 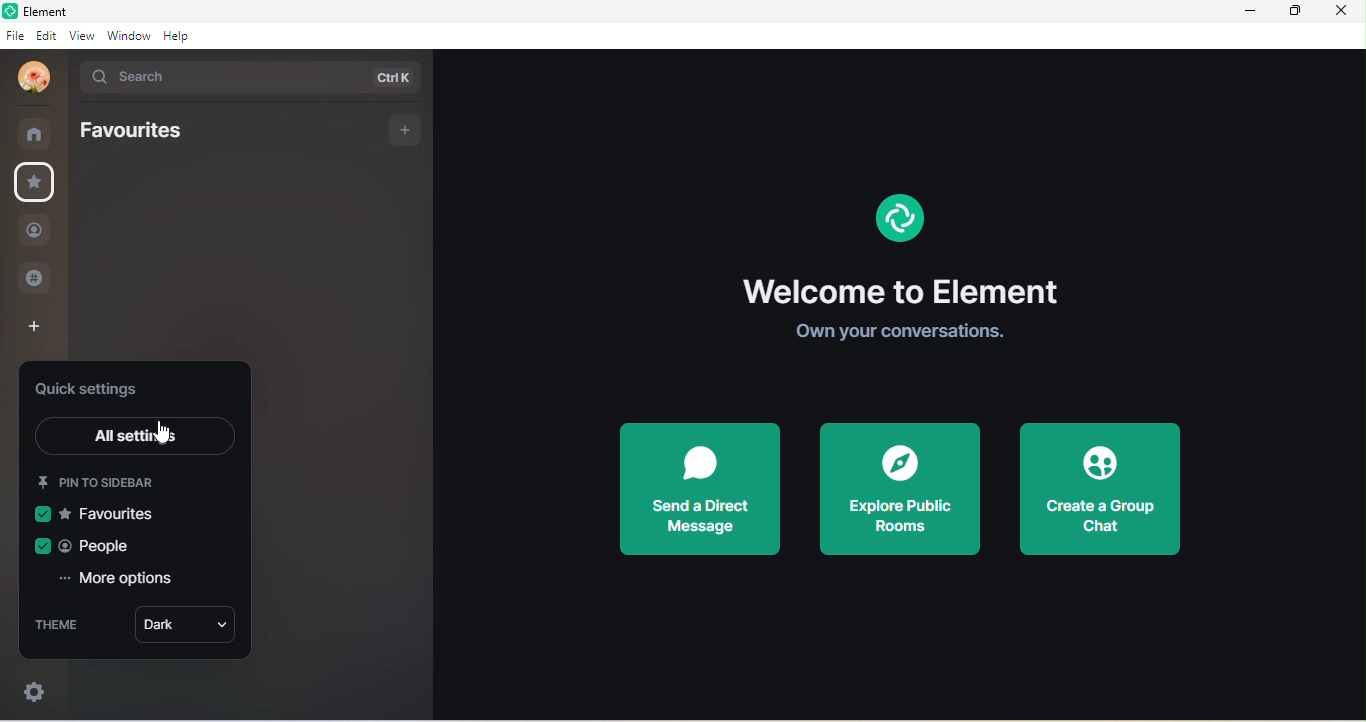 I want to click on create a space, so click(x=35, y=326).